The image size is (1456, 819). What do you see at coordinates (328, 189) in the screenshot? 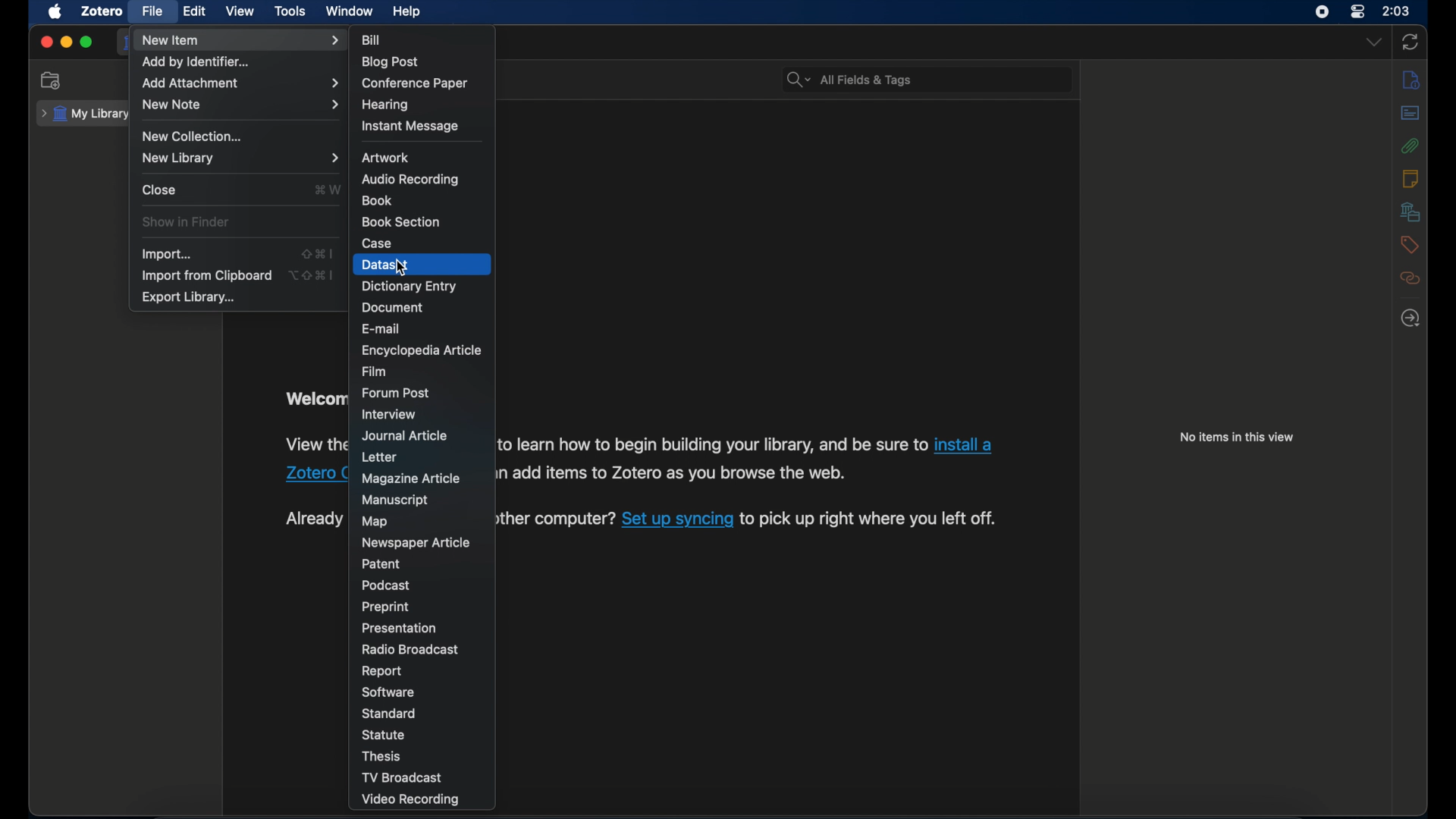
I see `shortcut` at bounding box center [328, 189].